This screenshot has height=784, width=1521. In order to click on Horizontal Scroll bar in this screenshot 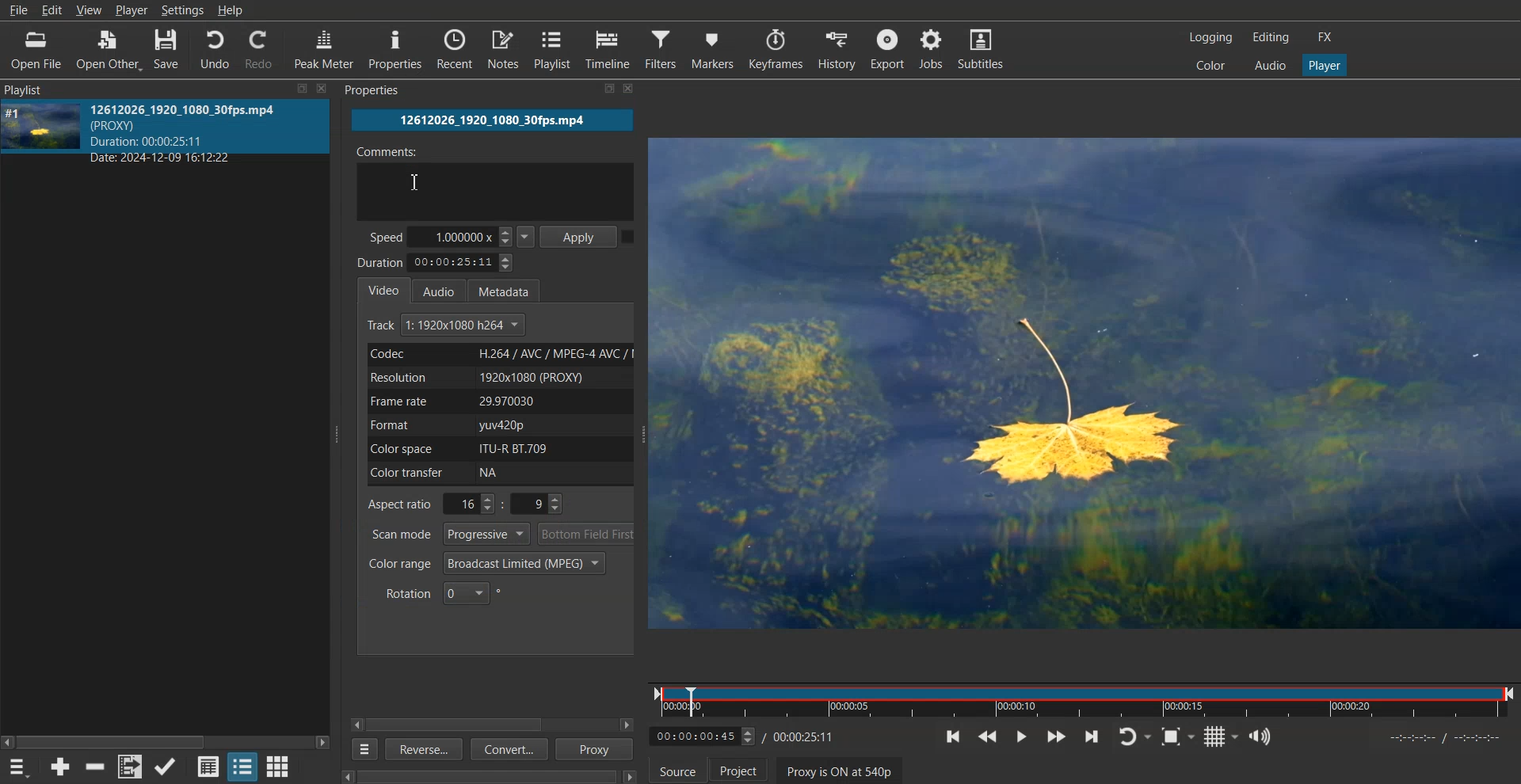, I will do `click(462, 725)`.